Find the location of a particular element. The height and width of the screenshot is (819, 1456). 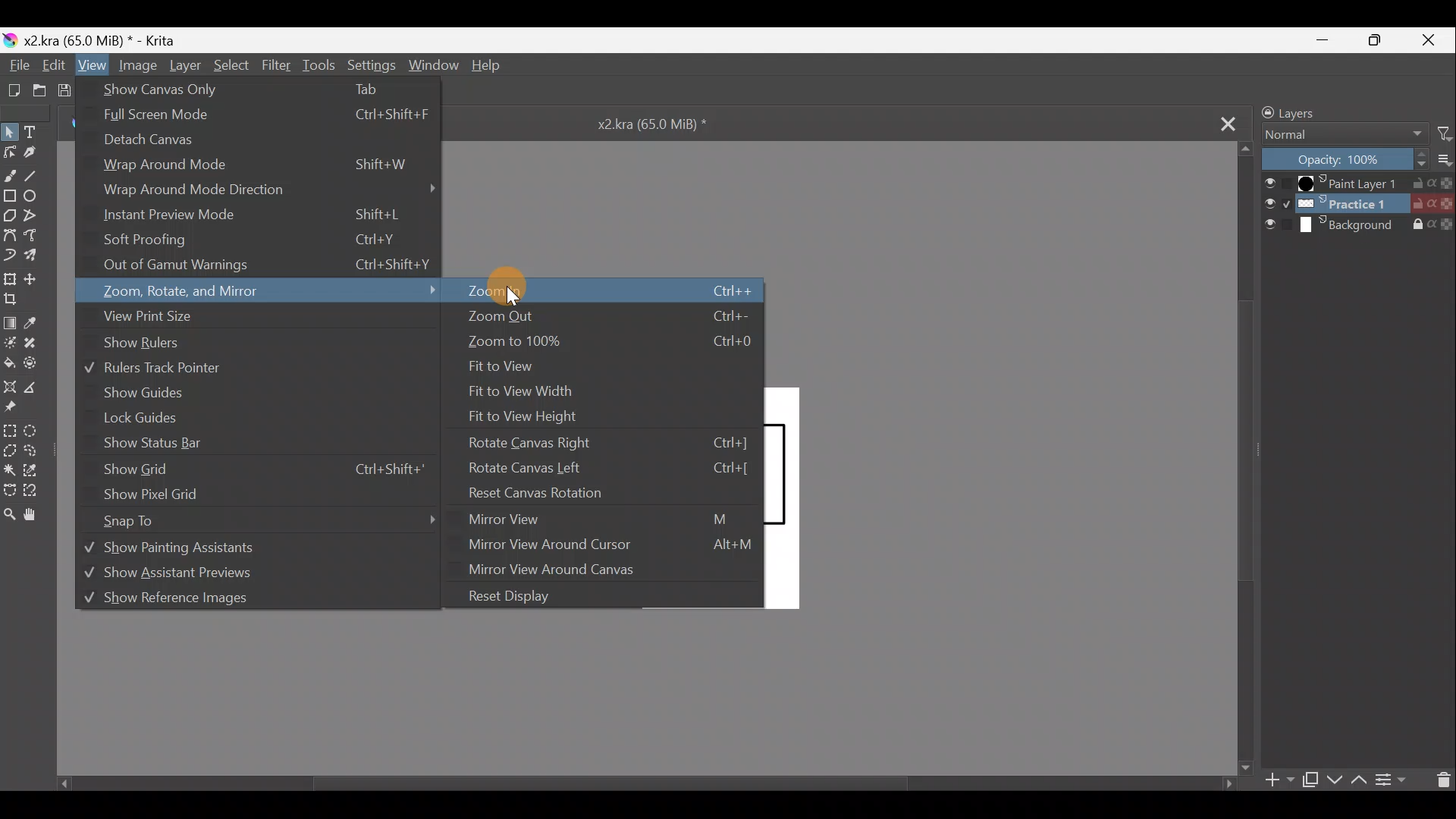

Show canvas only   Tab is located at coordinates (245, 91).